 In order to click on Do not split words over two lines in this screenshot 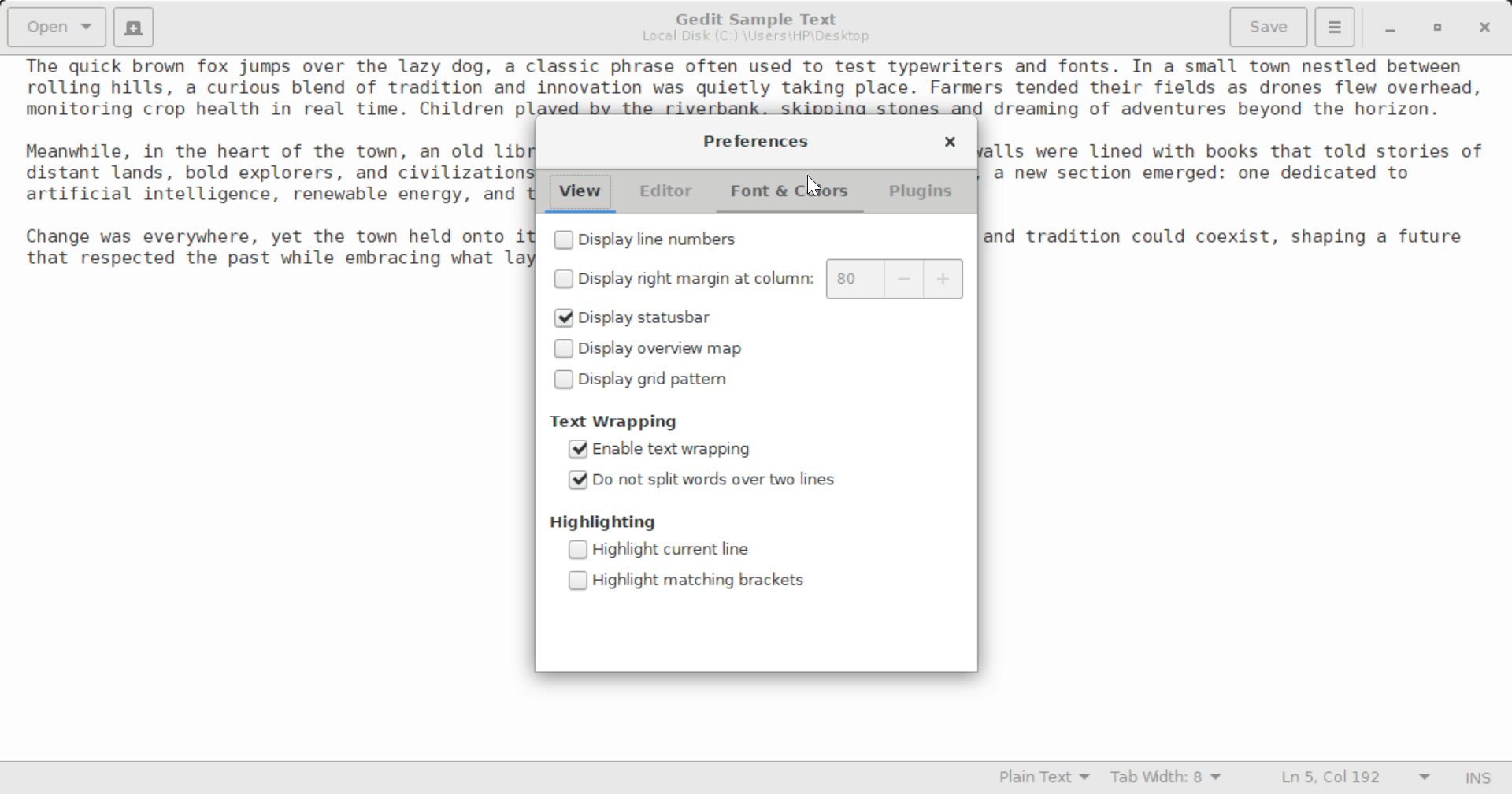, I will do `click(701, 482)`.